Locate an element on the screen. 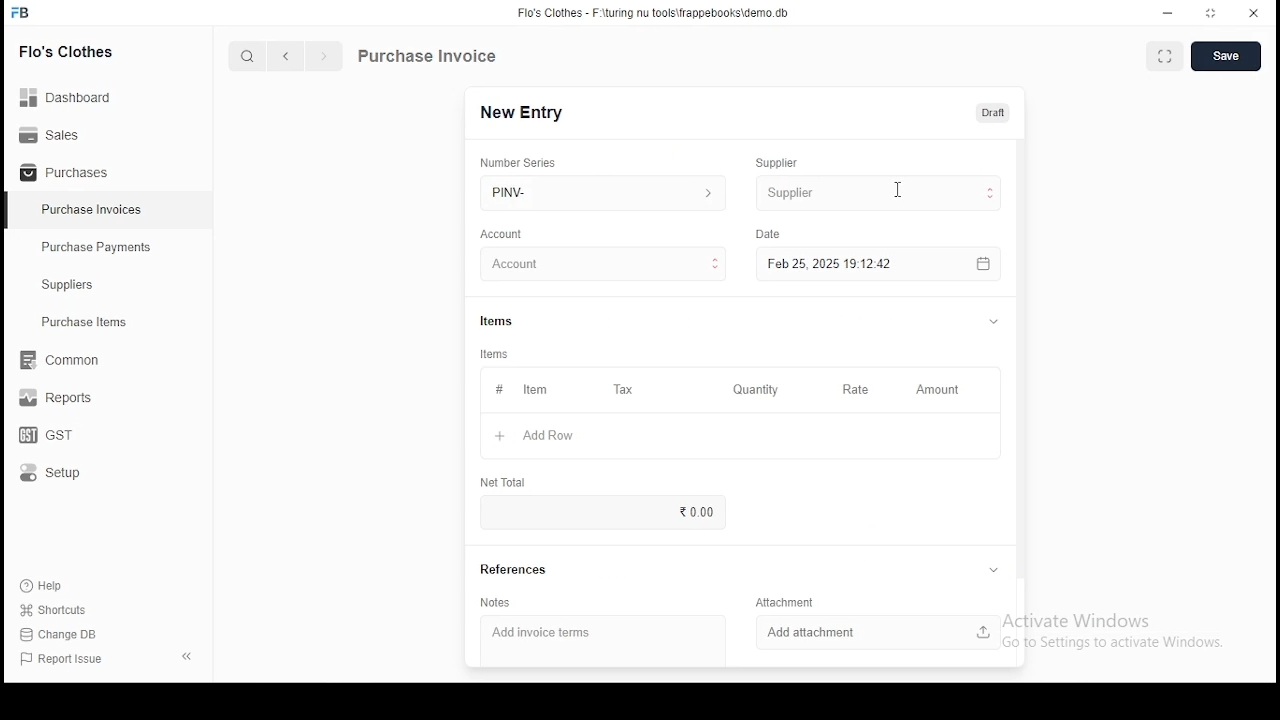 This screenshot has width=1280, height=720. Items is located at coordinates (495, 354).